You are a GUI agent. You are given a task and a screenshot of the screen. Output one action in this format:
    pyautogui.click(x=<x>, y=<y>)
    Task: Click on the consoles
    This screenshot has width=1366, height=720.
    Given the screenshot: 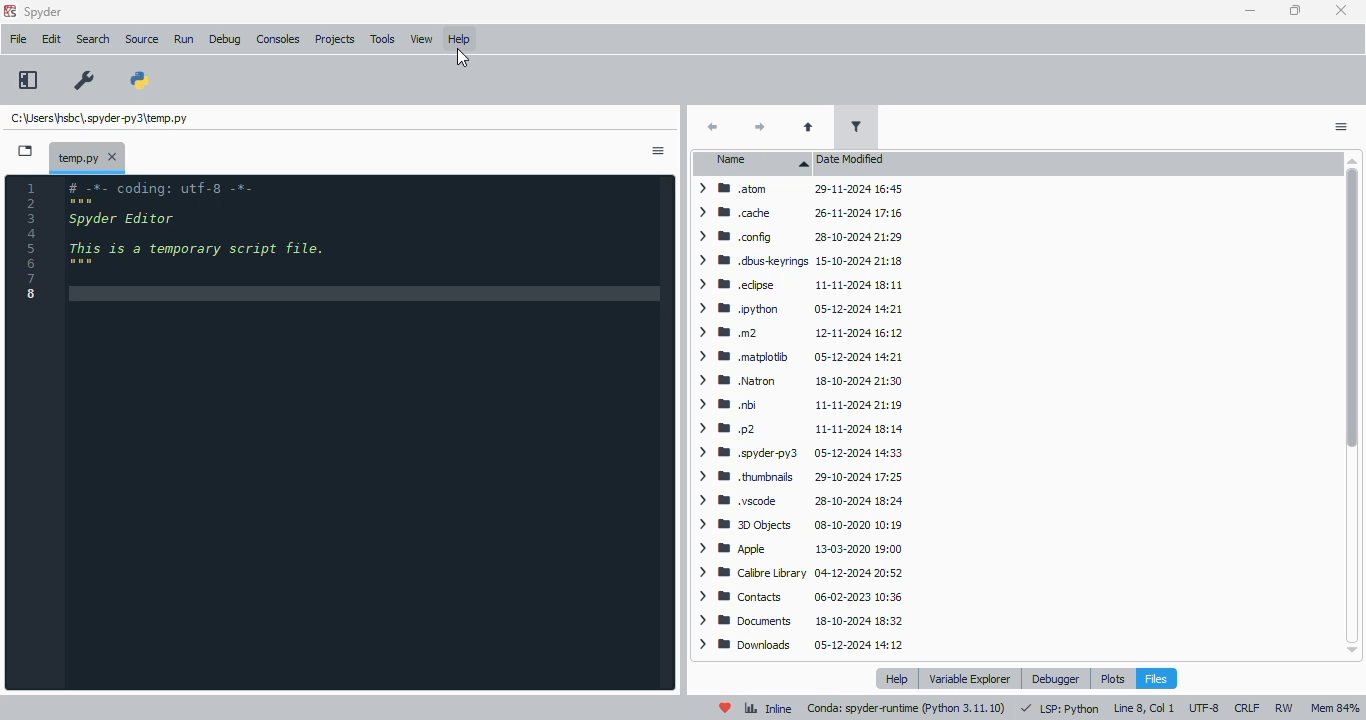 What is the action you would take?
    pyautogui.click(x=278, y=39)
    